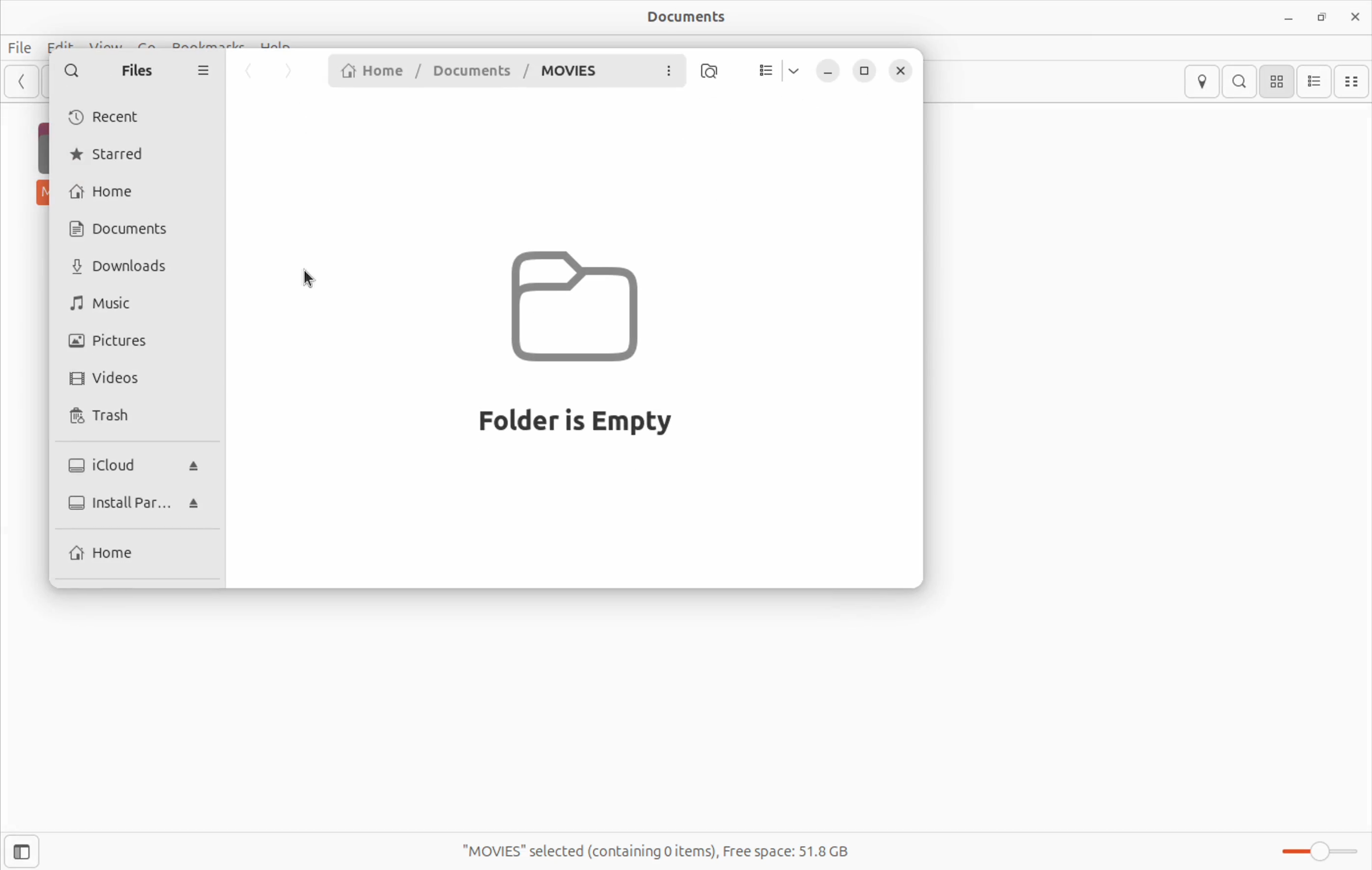 Image resolution: width=1372 pixels, height=870 pixels. Describe the element at coordinates (109, 379) in the screenshot. I see `Videos` at that location.